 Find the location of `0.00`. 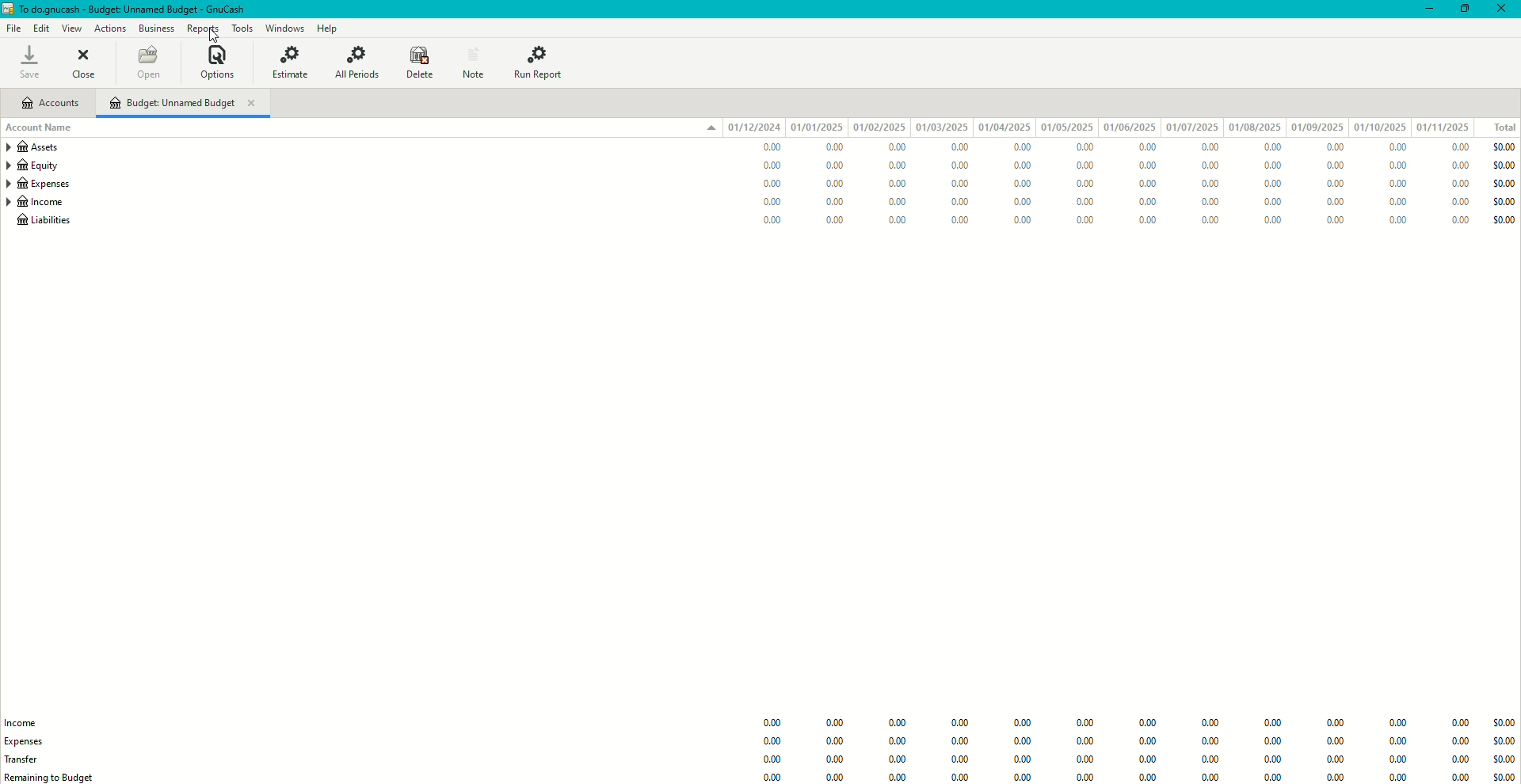

0.00 is located at coordinates (1458, 223).